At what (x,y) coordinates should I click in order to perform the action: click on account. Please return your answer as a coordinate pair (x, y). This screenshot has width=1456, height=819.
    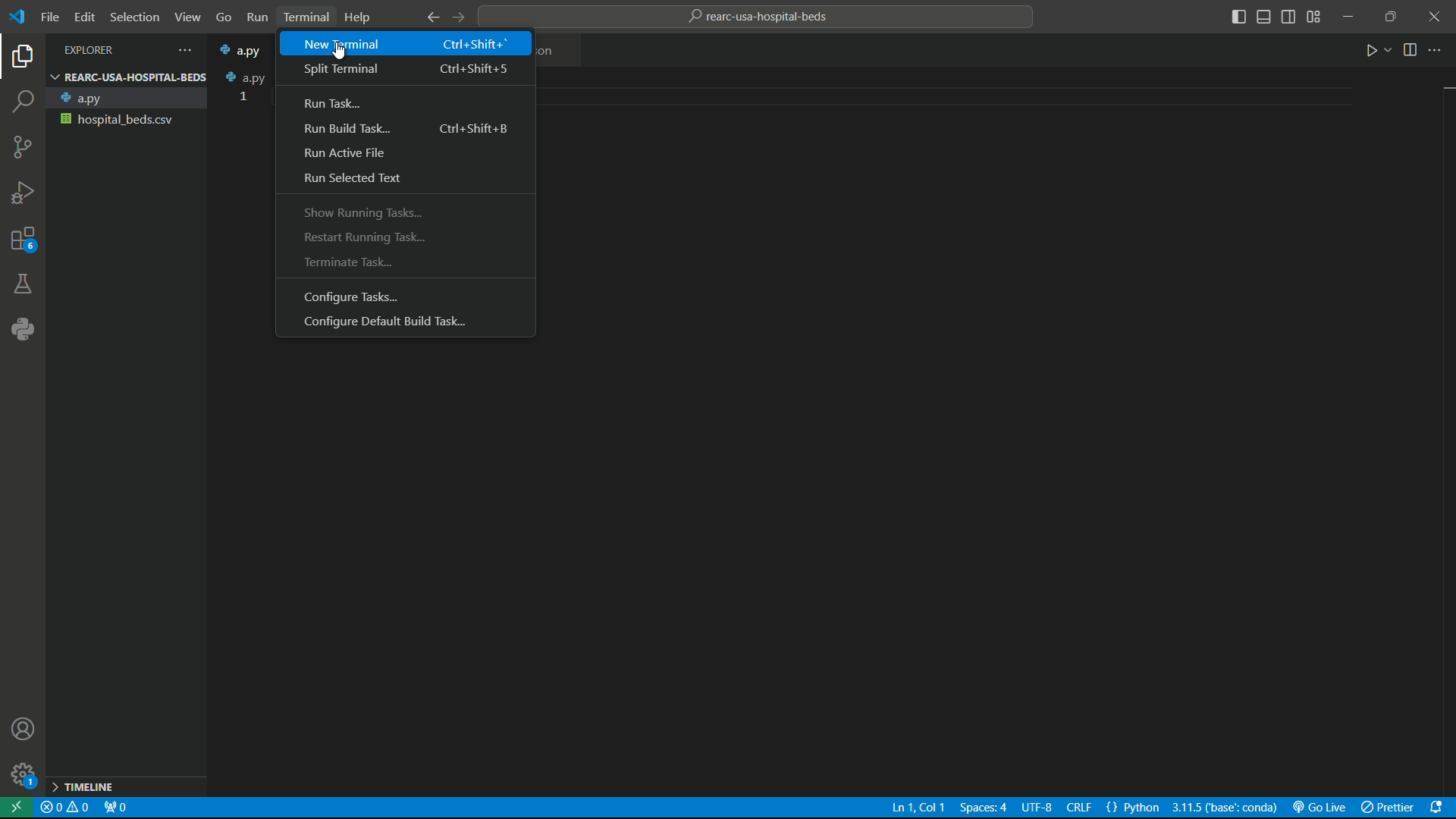
    Looking at the image, I should click on (25, 730).